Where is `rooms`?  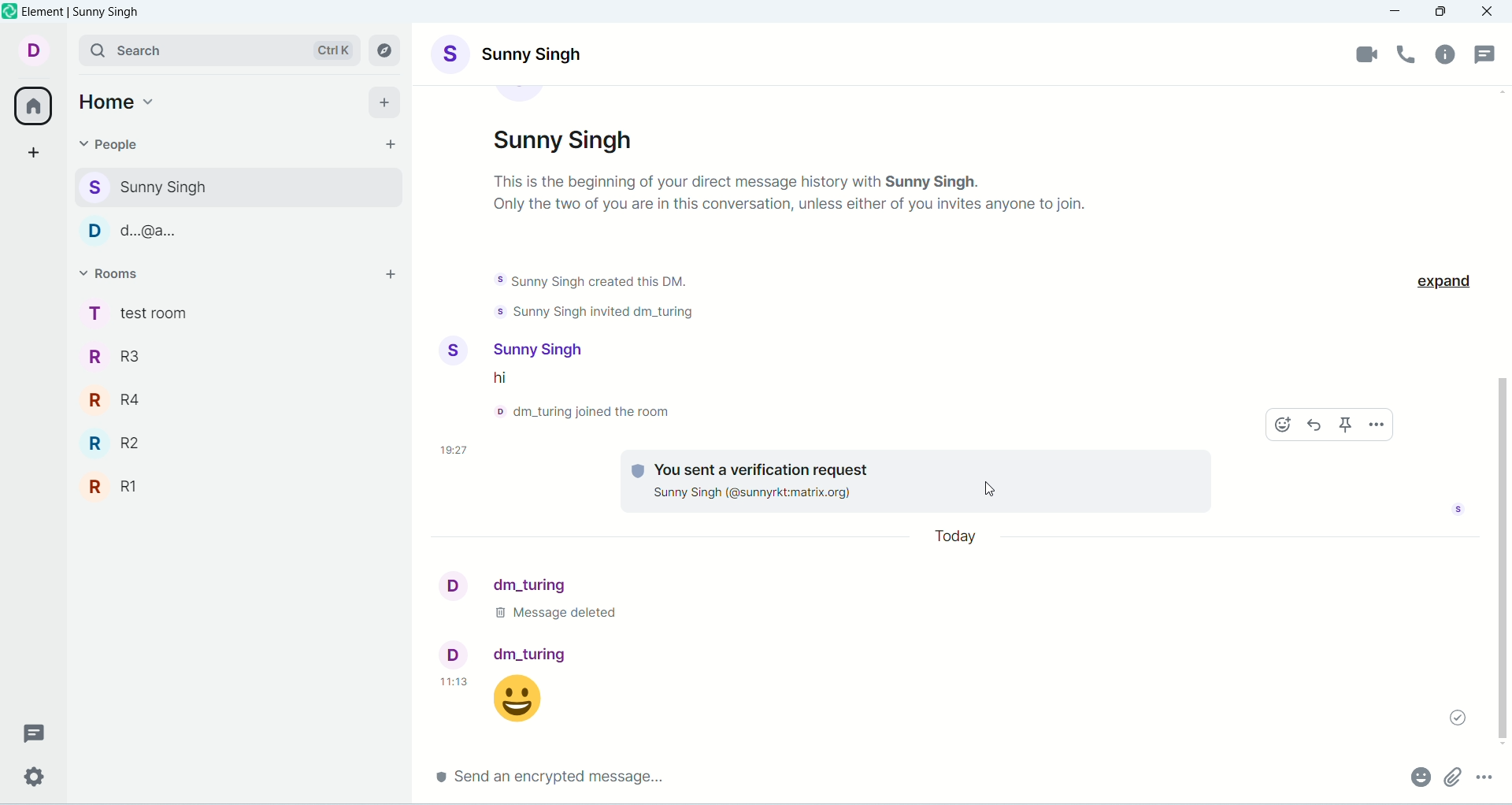 rooms is located at coordinates (116, 273).